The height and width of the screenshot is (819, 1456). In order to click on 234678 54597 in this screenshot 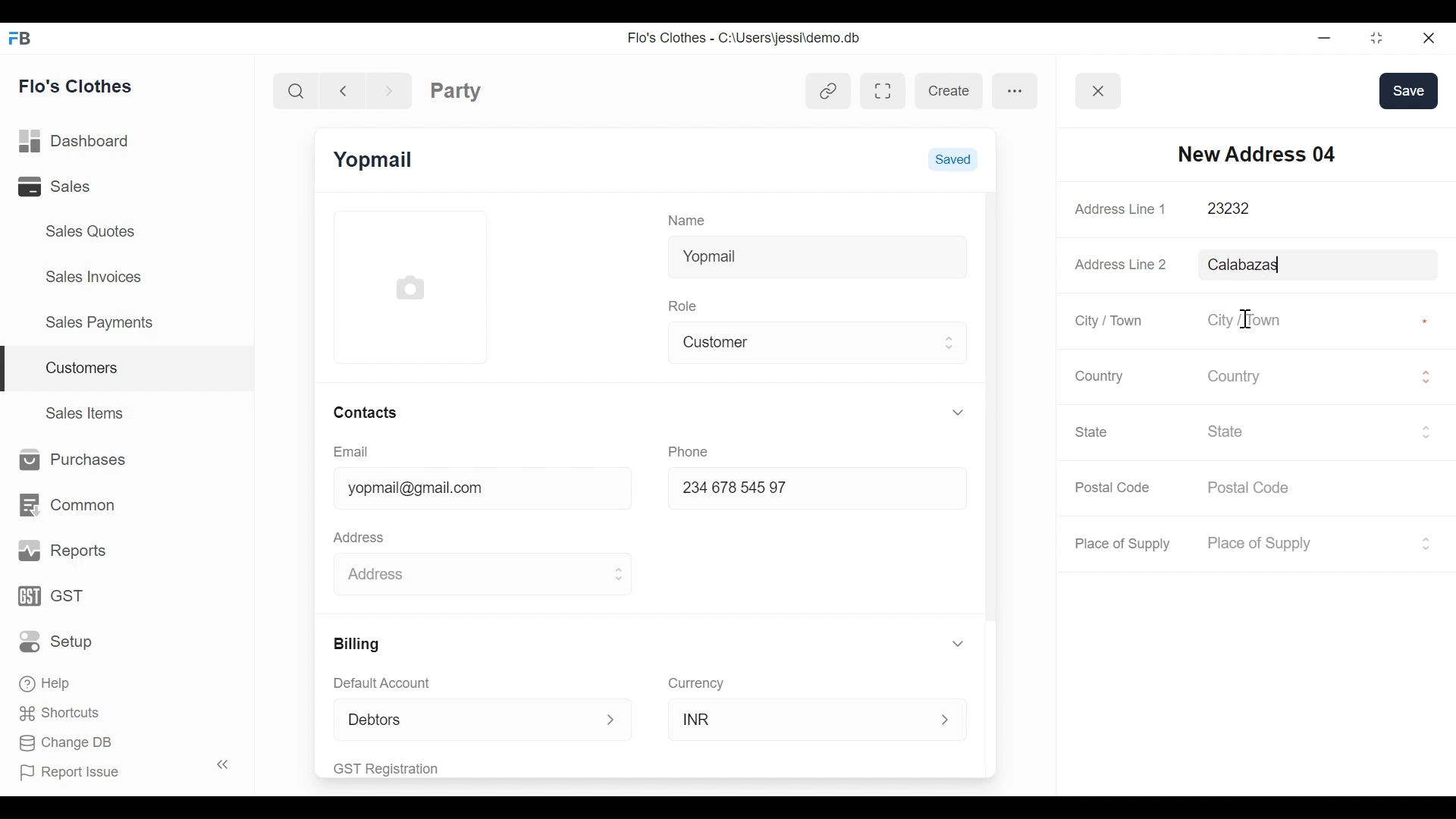, I will do `click(802, 490)`.